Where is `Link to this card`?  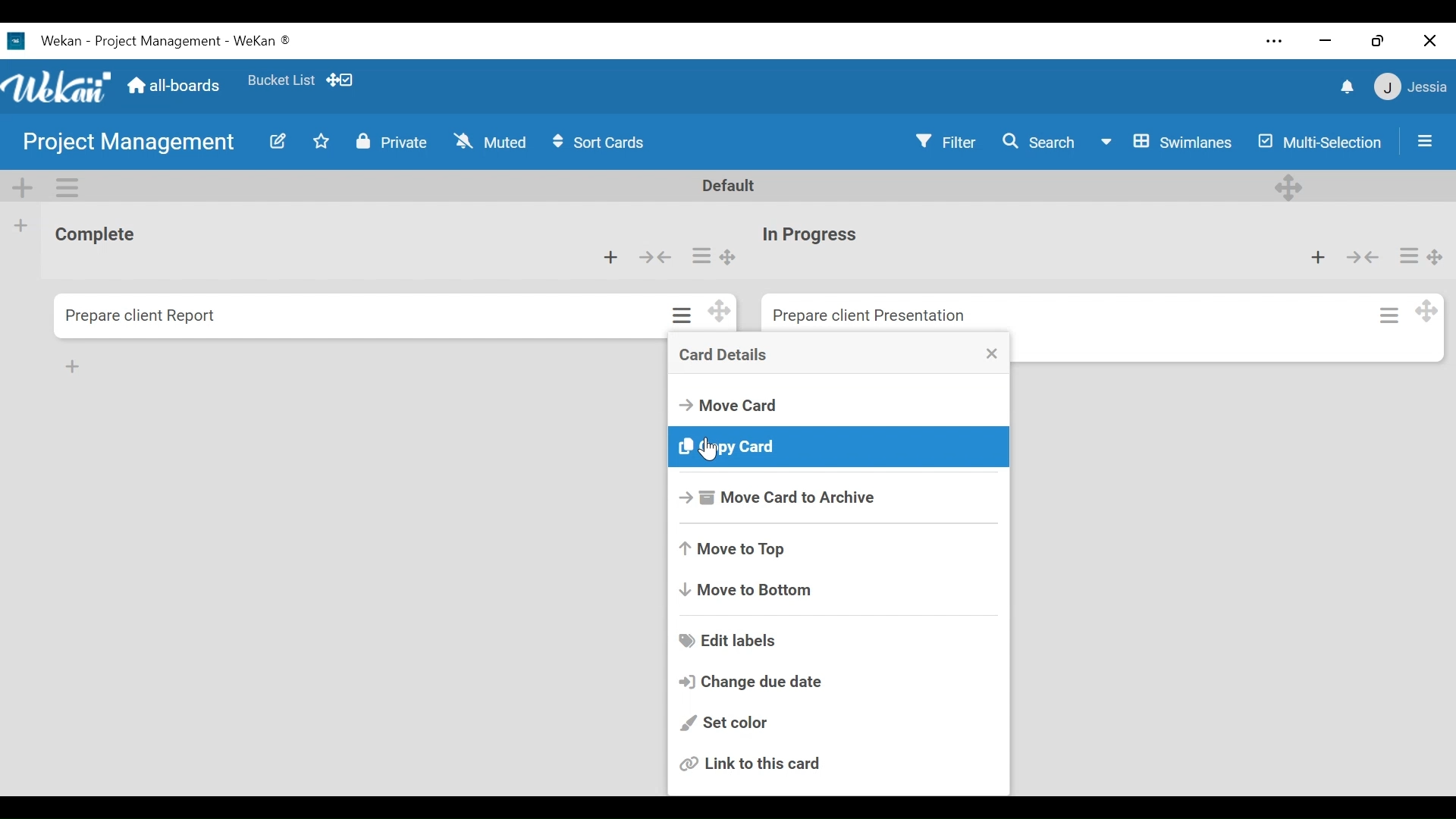 Link to this card is located at coordinates (758, 764).